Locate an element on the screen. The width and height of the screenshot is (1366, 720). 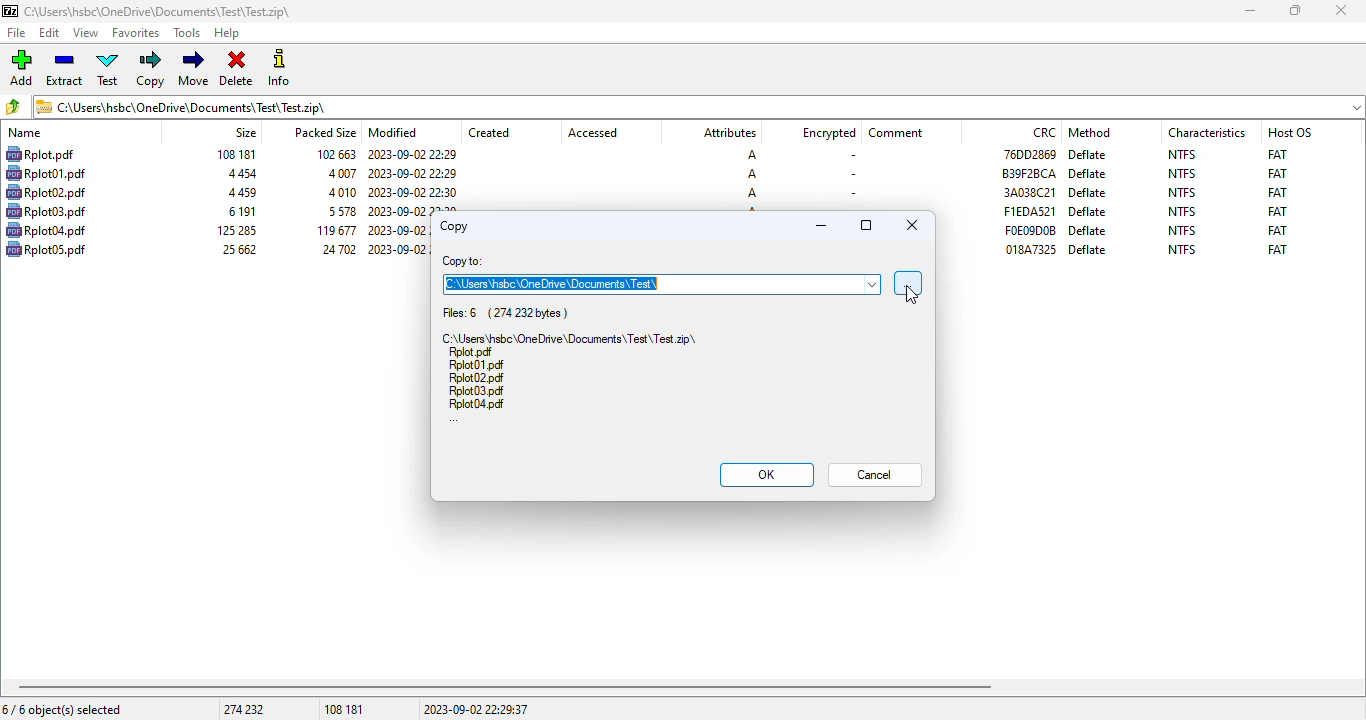
FAT is located at coordinates (1277, 173).